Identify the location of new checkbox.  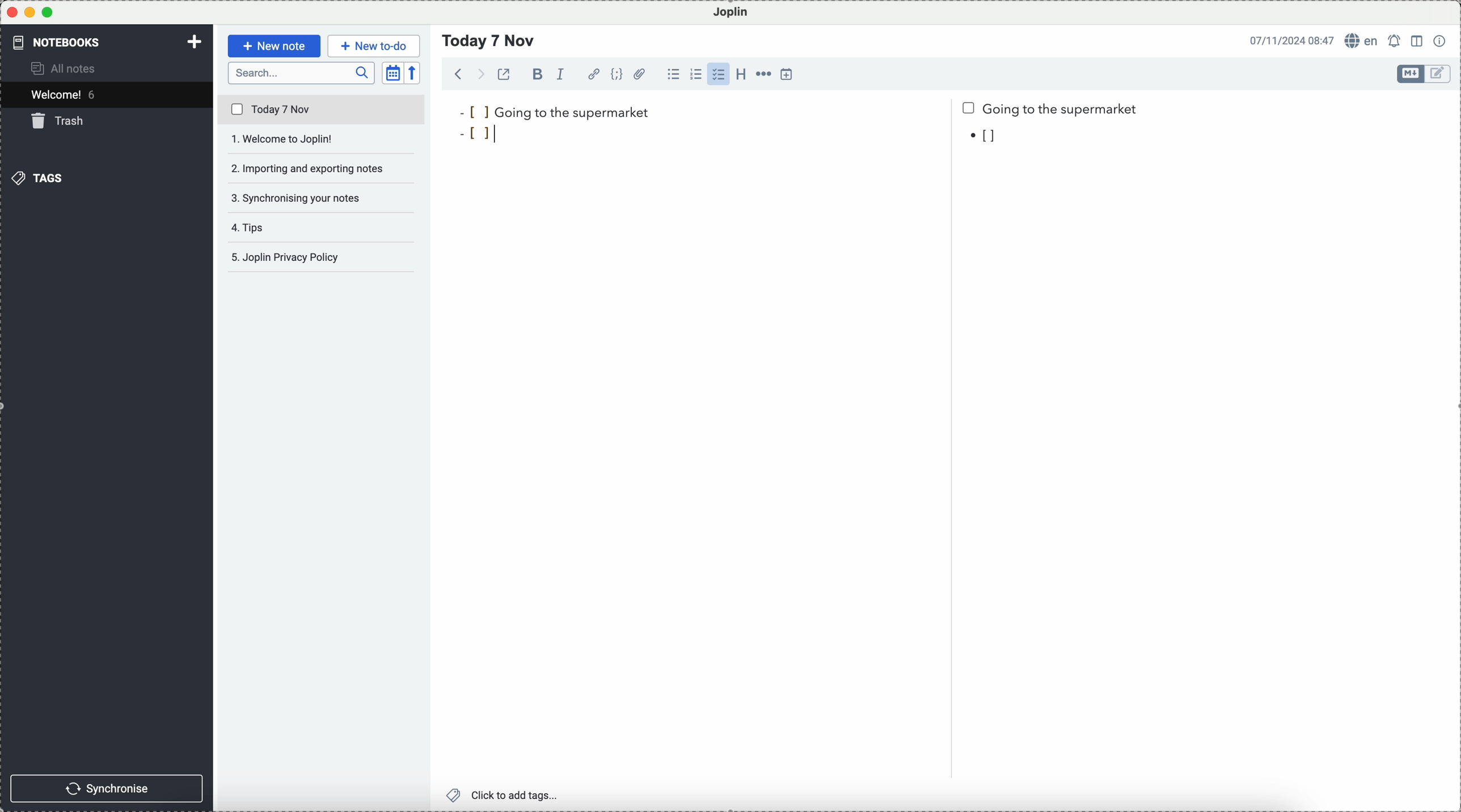
(988, 137).